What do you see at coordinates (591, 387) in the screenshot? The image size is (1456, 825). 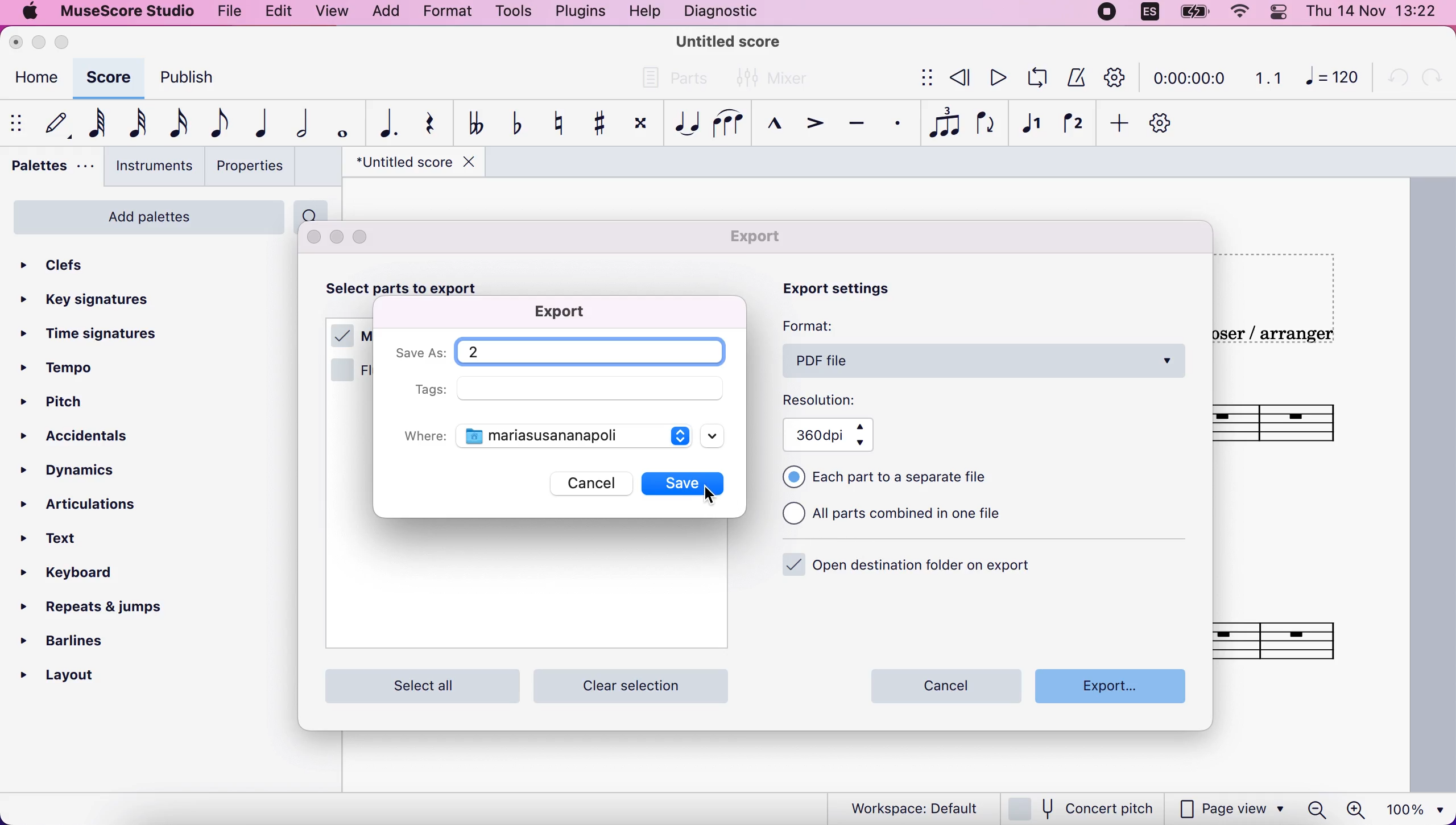 I see `empty field` at bounding box center [591, 387].